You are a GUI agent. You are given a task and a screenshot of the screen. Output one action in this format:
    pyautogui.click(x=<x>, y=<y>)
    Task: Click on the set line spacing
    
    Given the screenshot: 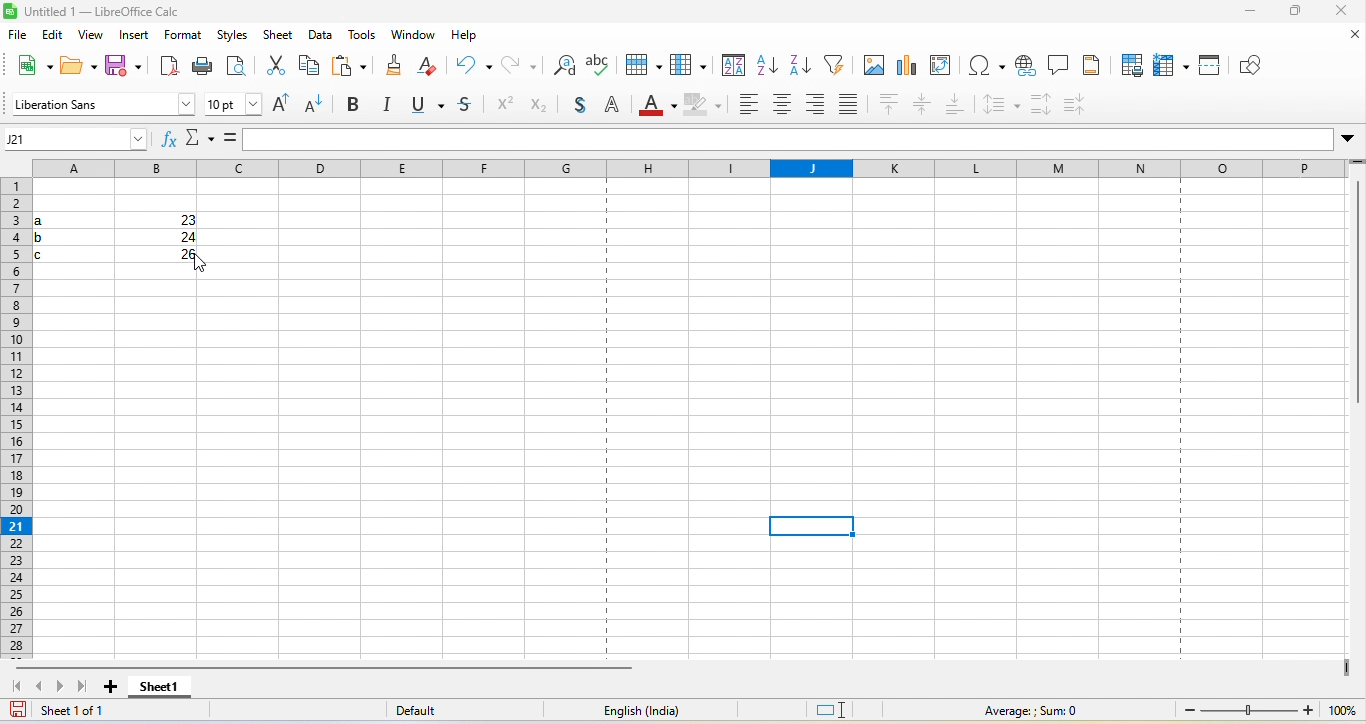 What is the action you would take?
    pyautogui.click(x=999, y=105)
    